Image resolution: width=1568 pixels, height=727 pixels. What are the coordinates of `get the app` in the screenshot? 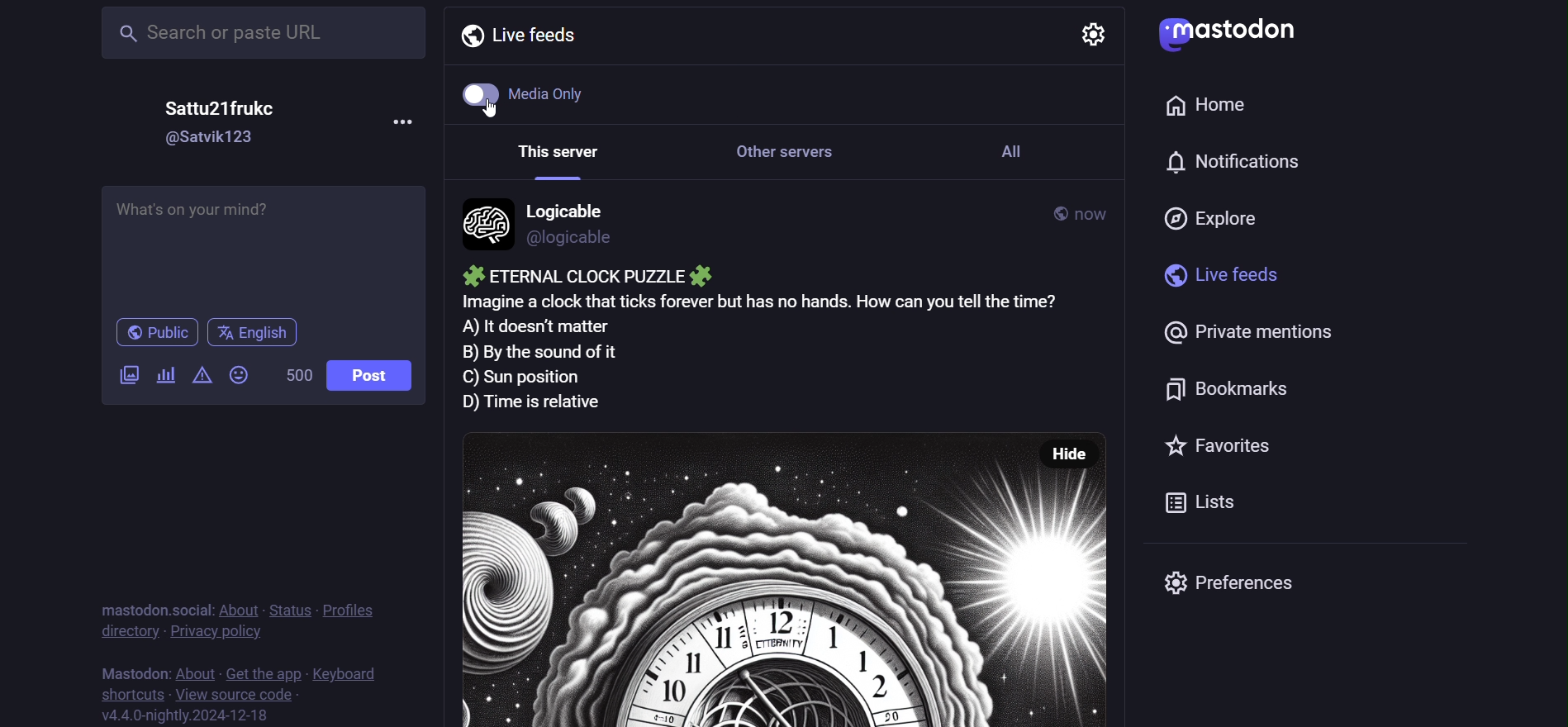 It's located at (259, 672).